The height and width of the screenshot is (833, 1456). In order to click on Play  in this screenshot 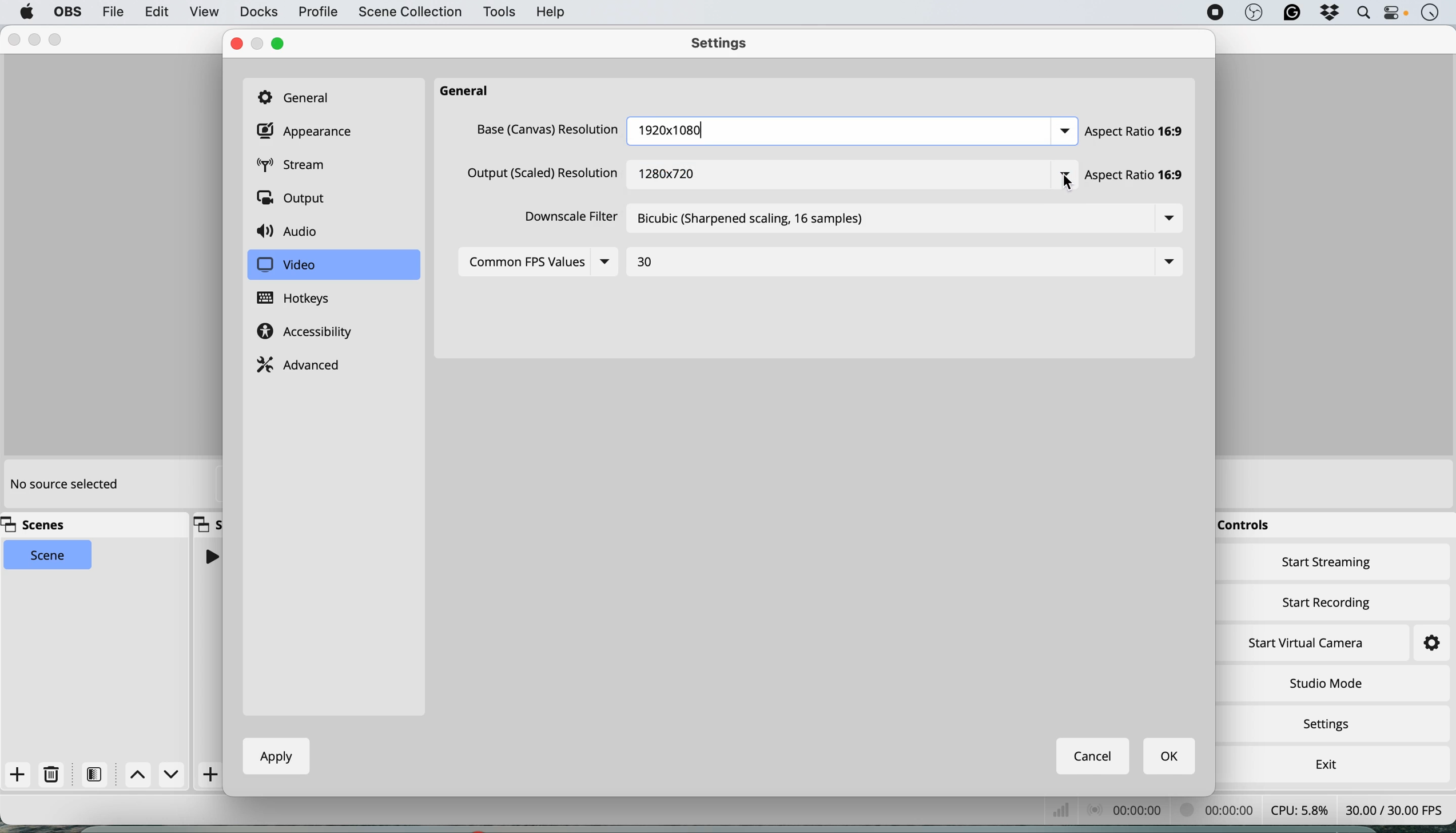, I will do `click(210, 556)`.